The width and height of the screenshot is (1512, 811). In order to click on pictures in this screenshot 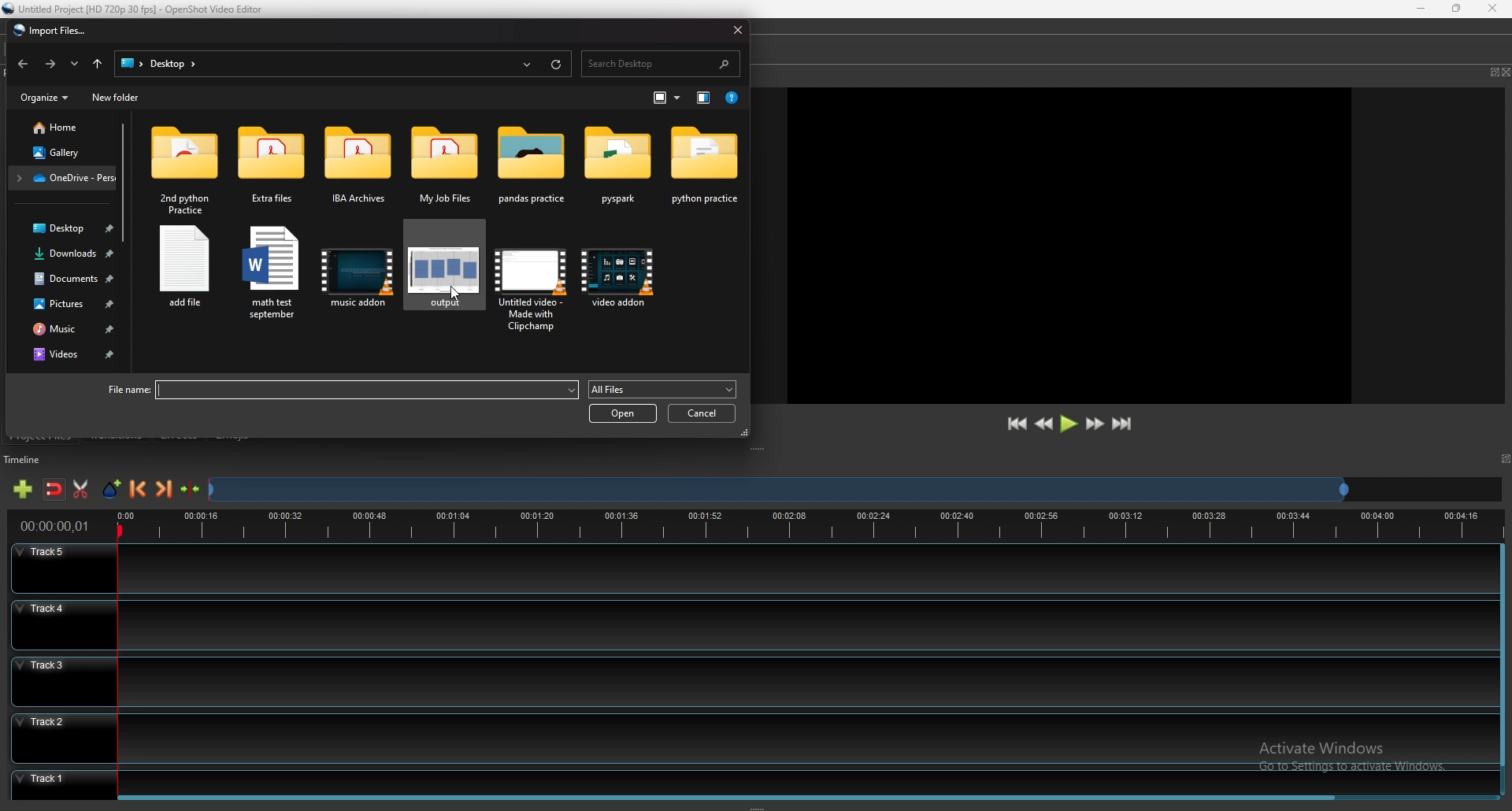, I will do `click(68, 303)`.